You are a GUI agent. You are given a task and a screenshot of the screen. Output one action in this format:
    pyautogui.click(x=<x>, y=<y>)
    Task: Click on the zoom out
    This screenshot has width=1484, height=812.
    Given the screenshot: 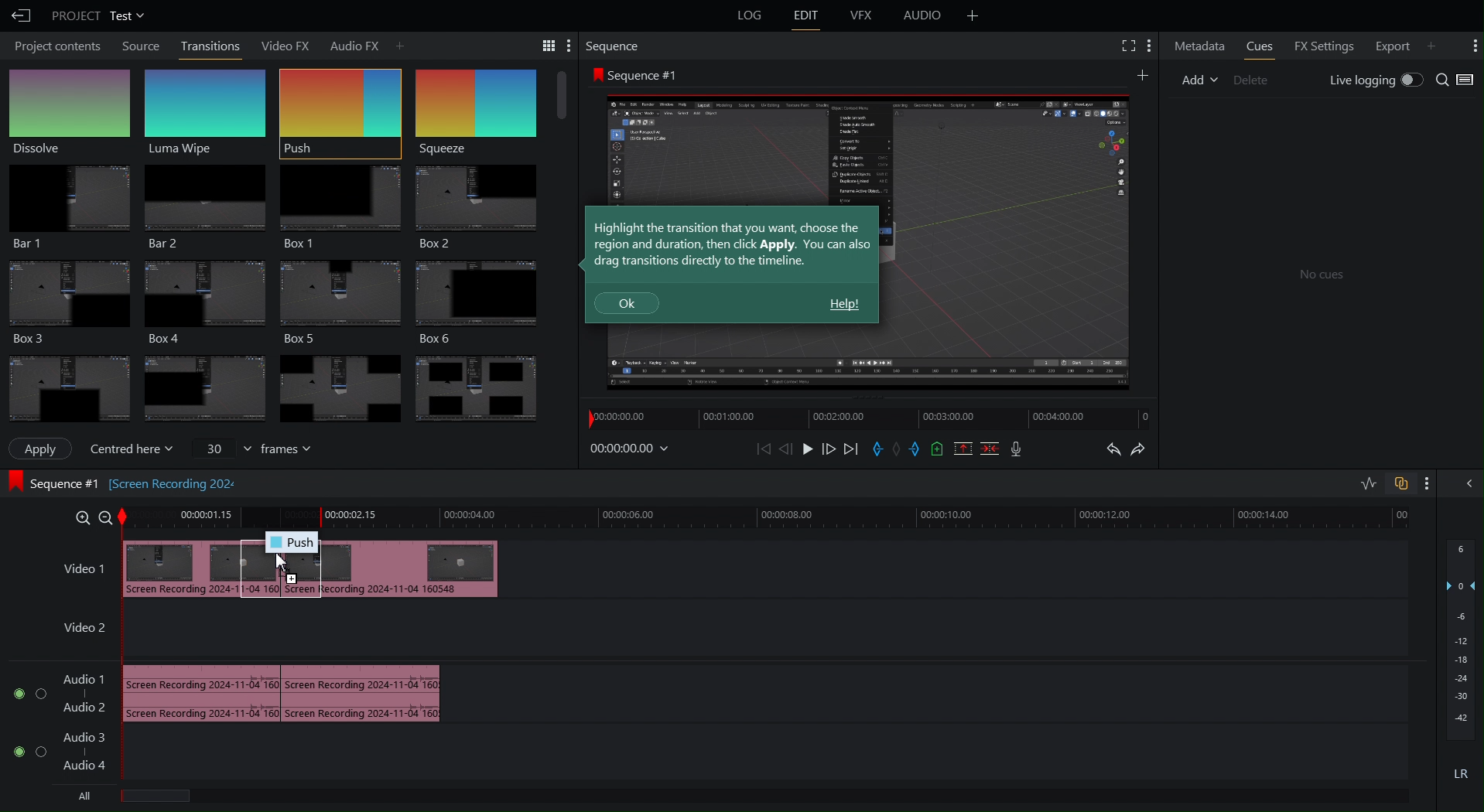 What is the action you would take?
    pyautogui.click(x=101, y=517)
    